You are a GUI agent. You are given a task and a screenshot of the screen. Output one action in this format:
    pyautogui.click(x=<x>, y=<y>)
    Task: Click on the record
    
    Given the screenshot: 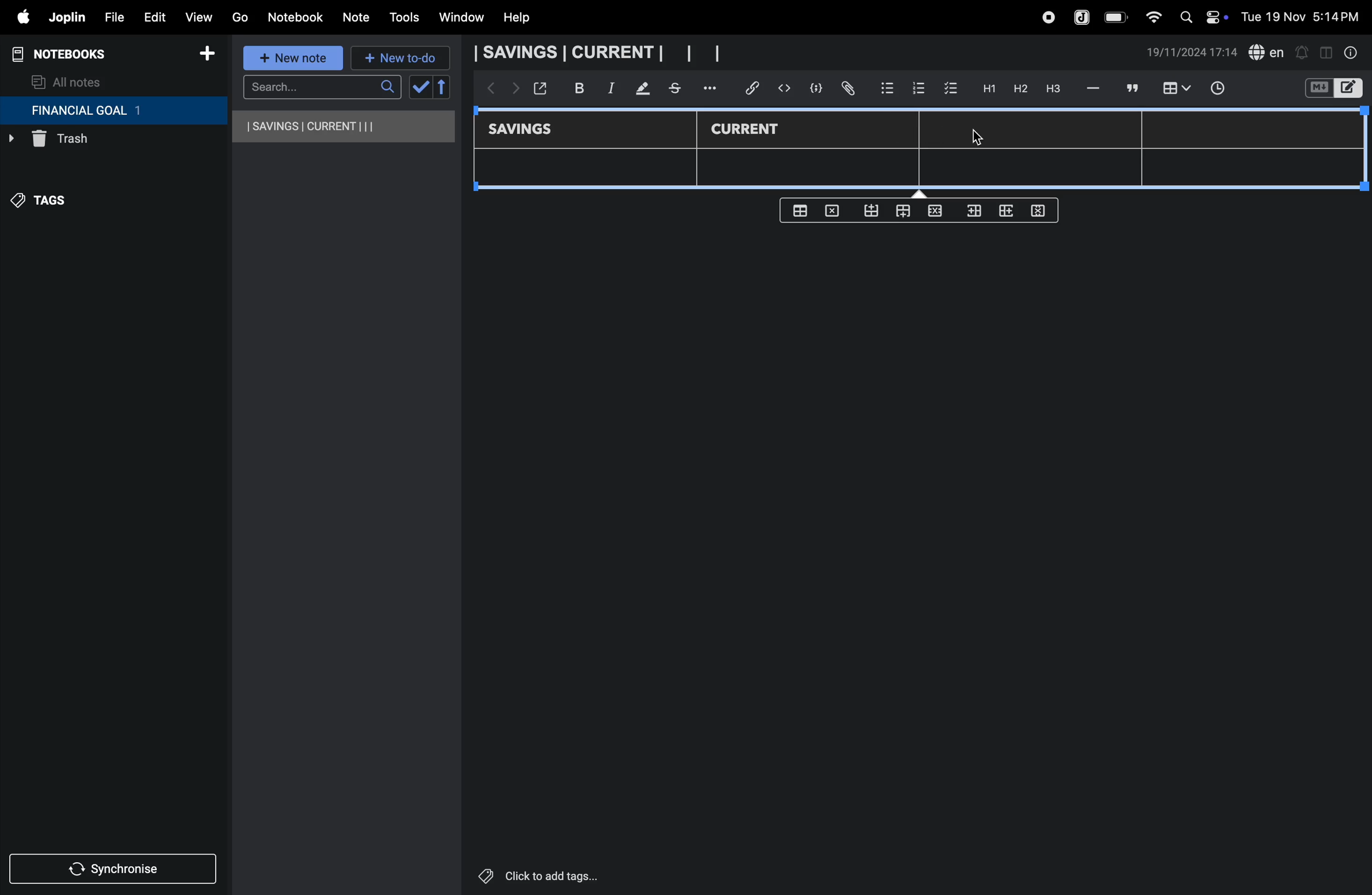 What is the action you would take?
    pyautogui.click(x=1047, y=17)
    